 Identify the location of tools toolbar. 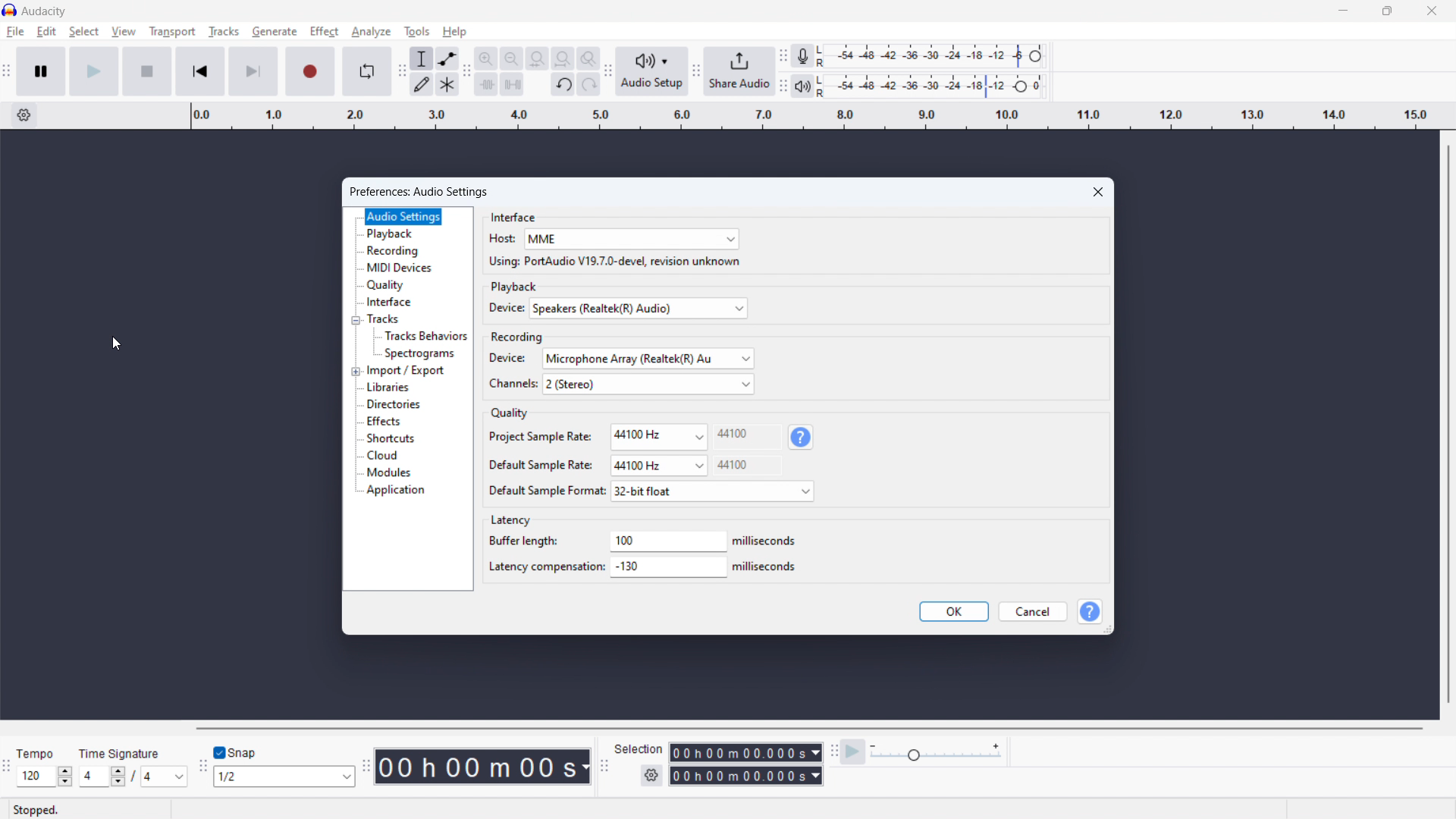
(402, 71).